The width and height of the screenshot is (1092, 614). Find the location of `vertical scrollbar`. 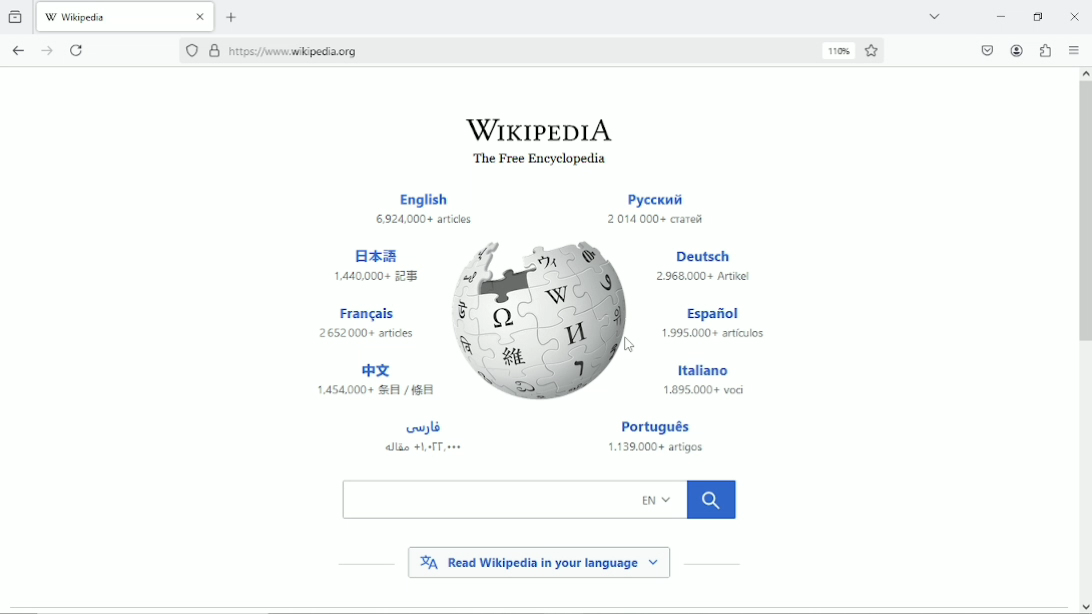

vertical scrollbar is located at coordinates (1083, 214).